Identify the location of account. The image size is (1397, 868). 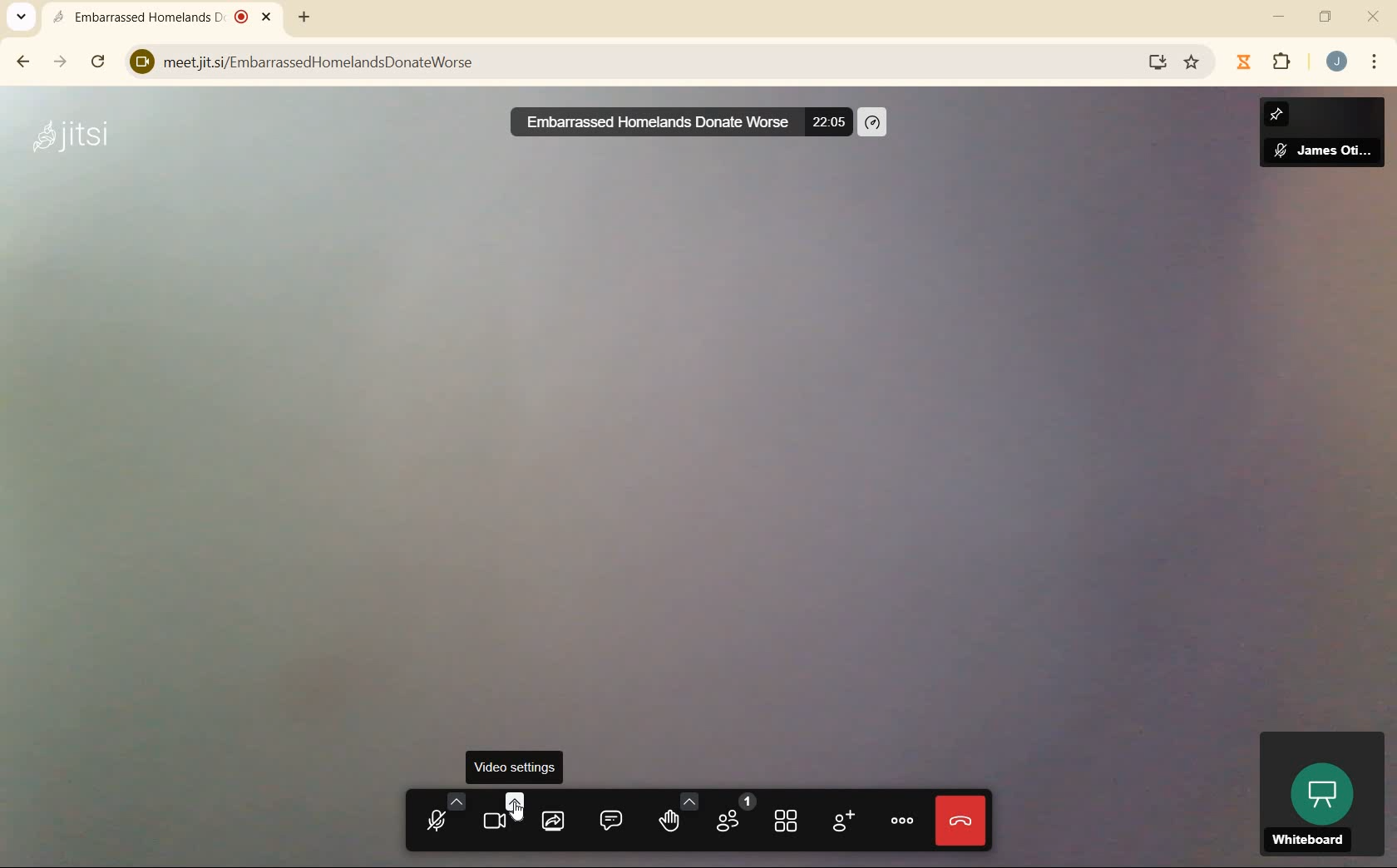
(1336, 61).